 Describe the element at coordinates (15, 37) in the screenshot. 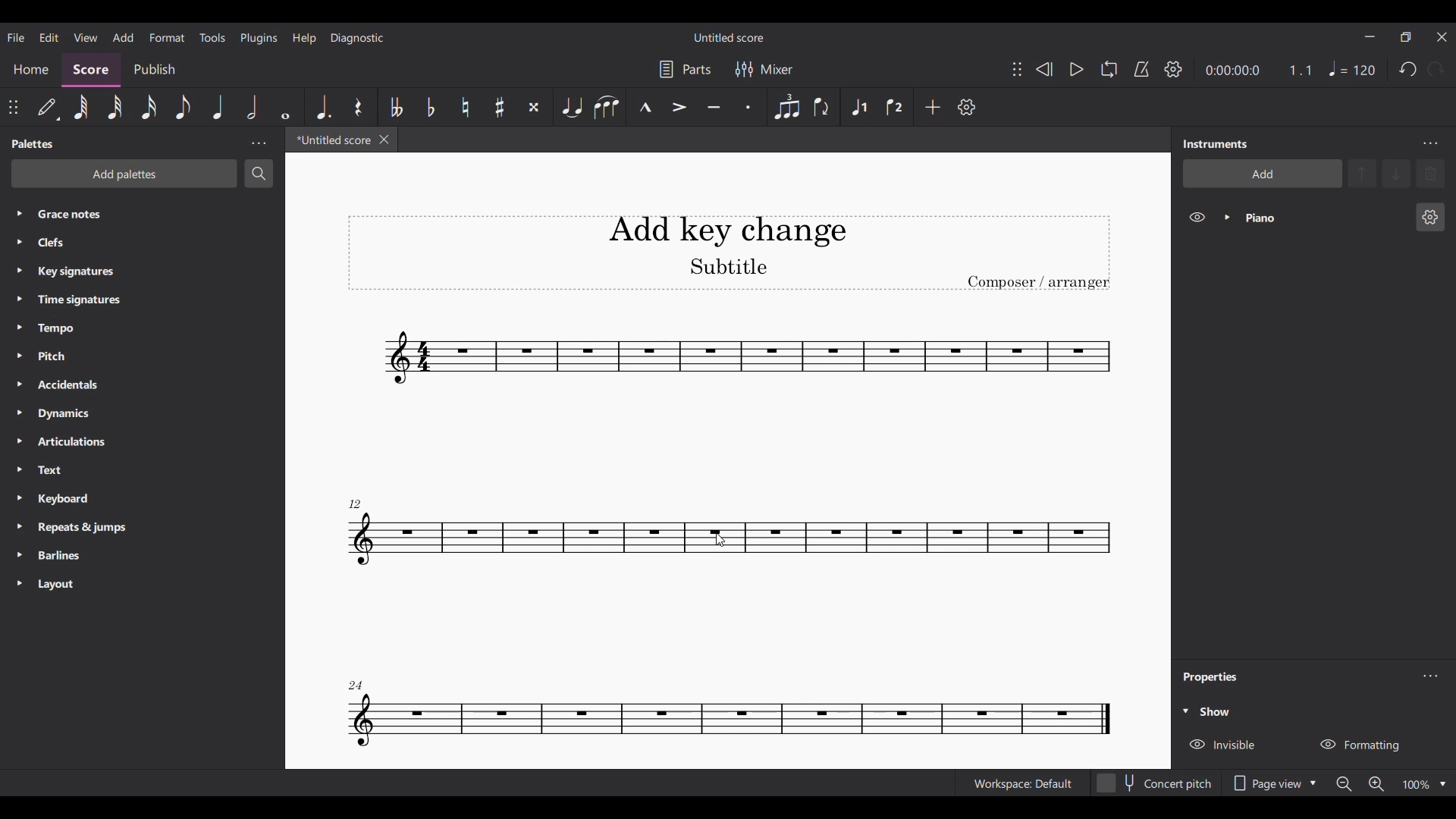

I see `File menu` at that location.